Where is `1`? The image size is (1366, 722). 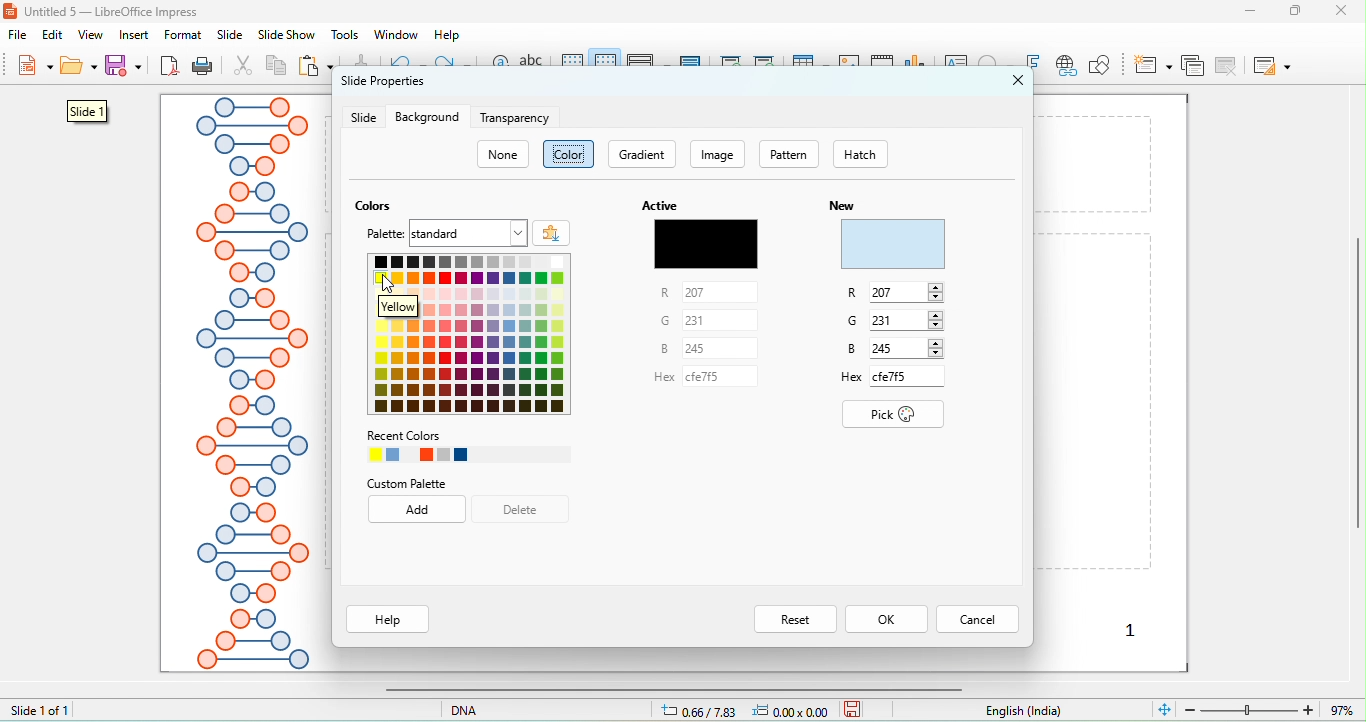
1 is located at coordinates (1134, 629).